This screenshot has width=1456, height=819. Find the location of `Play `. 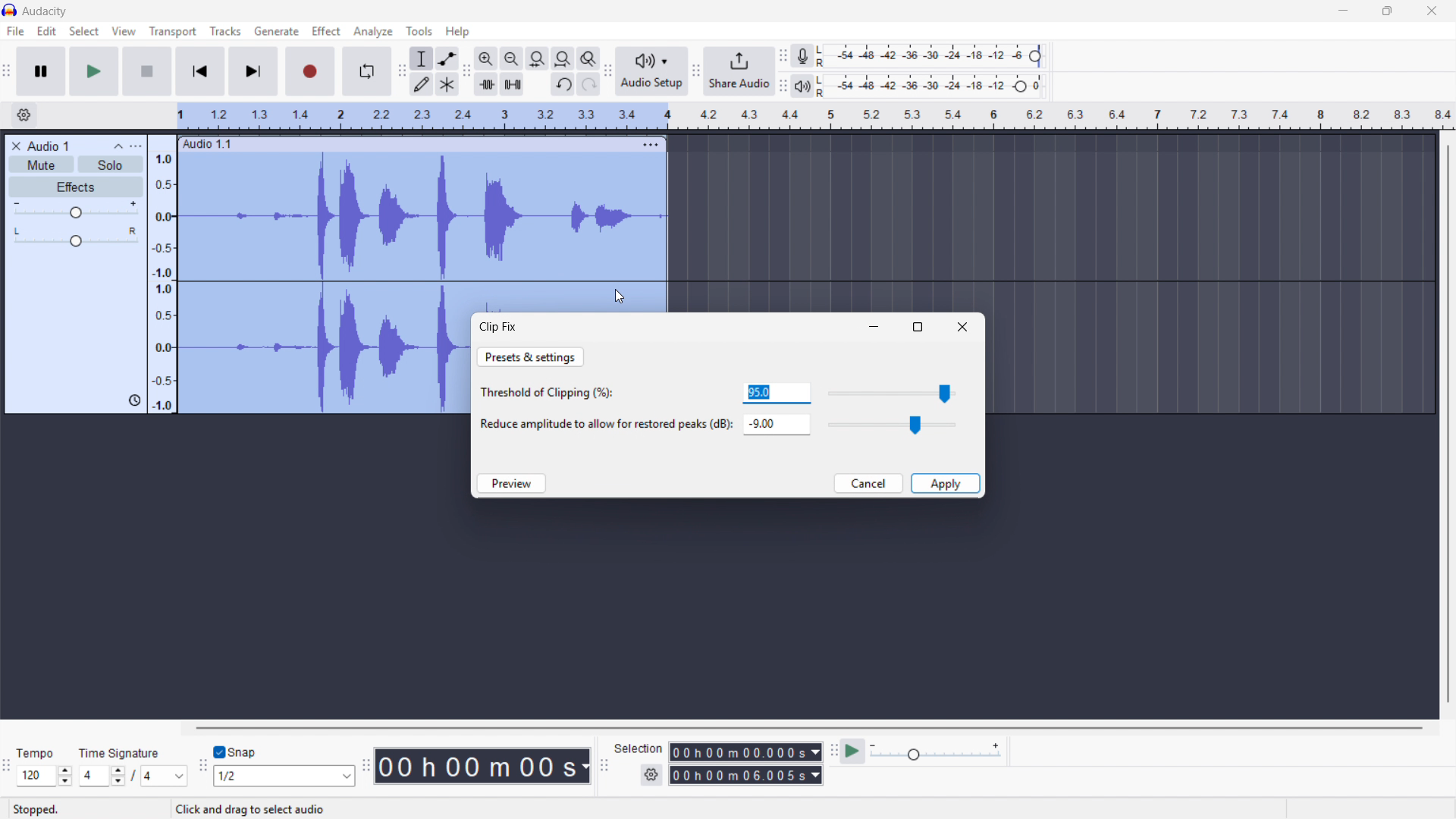

Play  is located at coordinates (93, 71).